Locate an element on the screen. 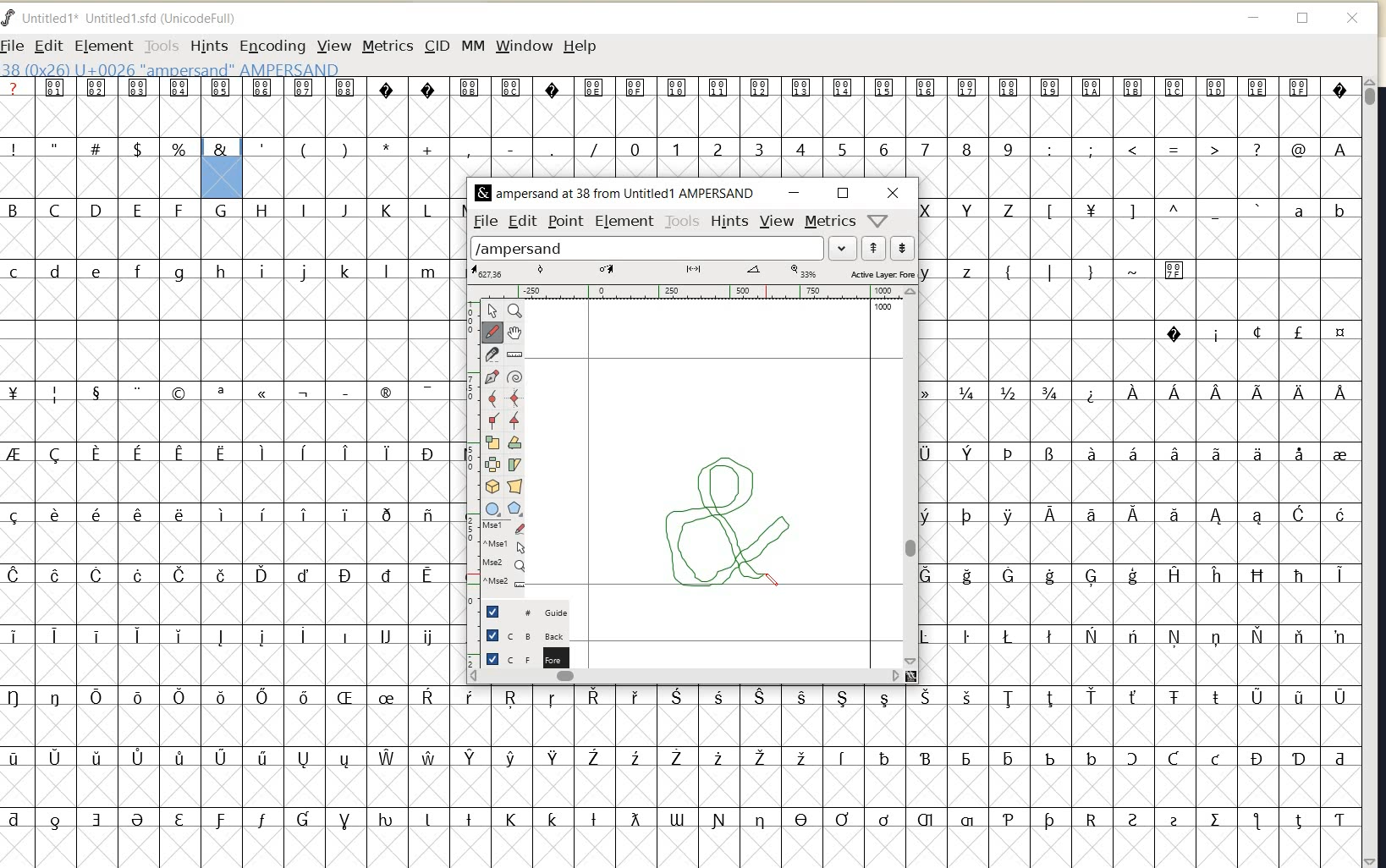  show previous word list is located at coordinates (875, 248).